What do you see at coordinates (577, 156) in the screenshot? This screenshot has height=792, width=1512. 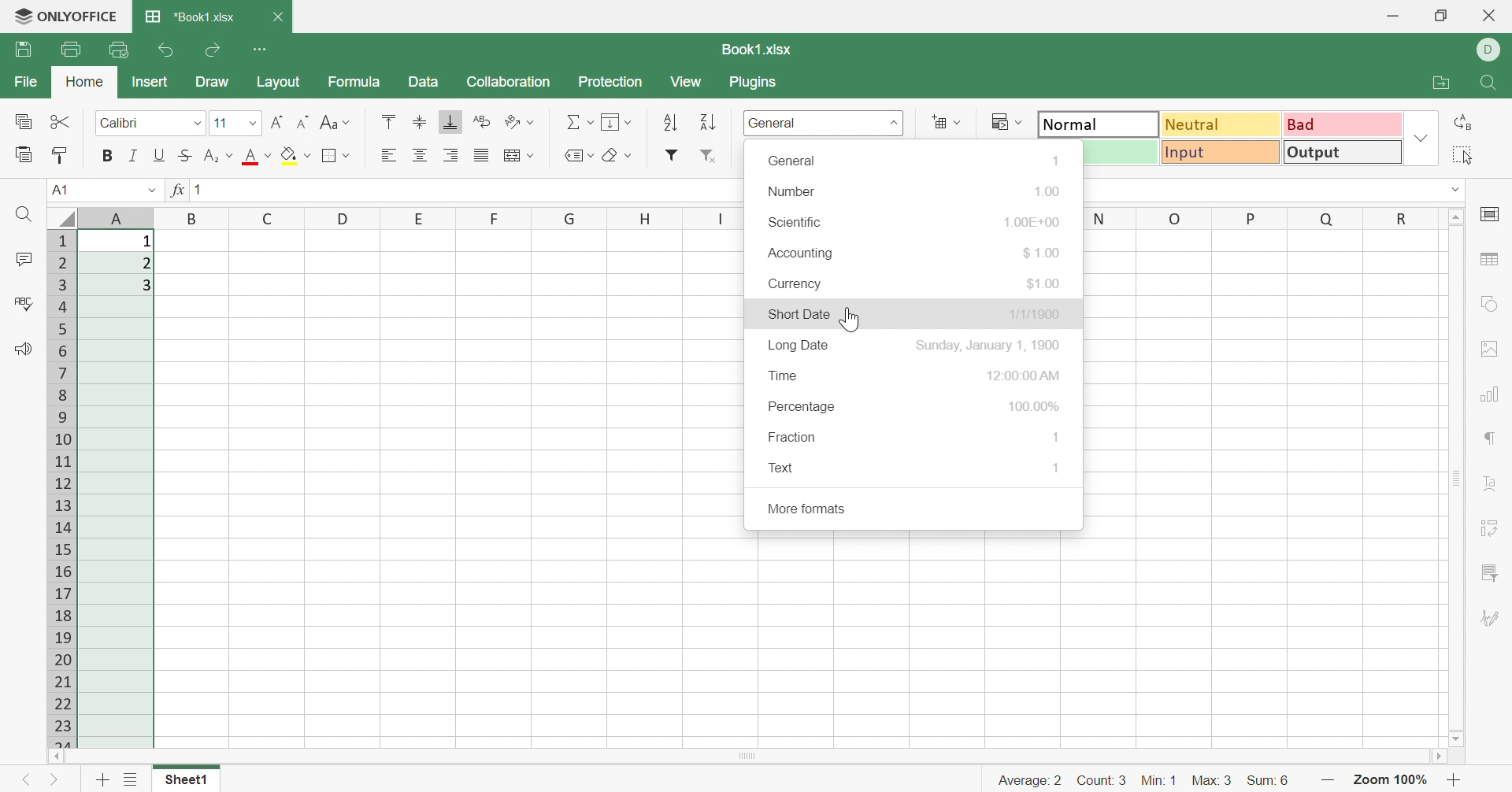 I see `Named ranges` at bounding box center [577, 156].